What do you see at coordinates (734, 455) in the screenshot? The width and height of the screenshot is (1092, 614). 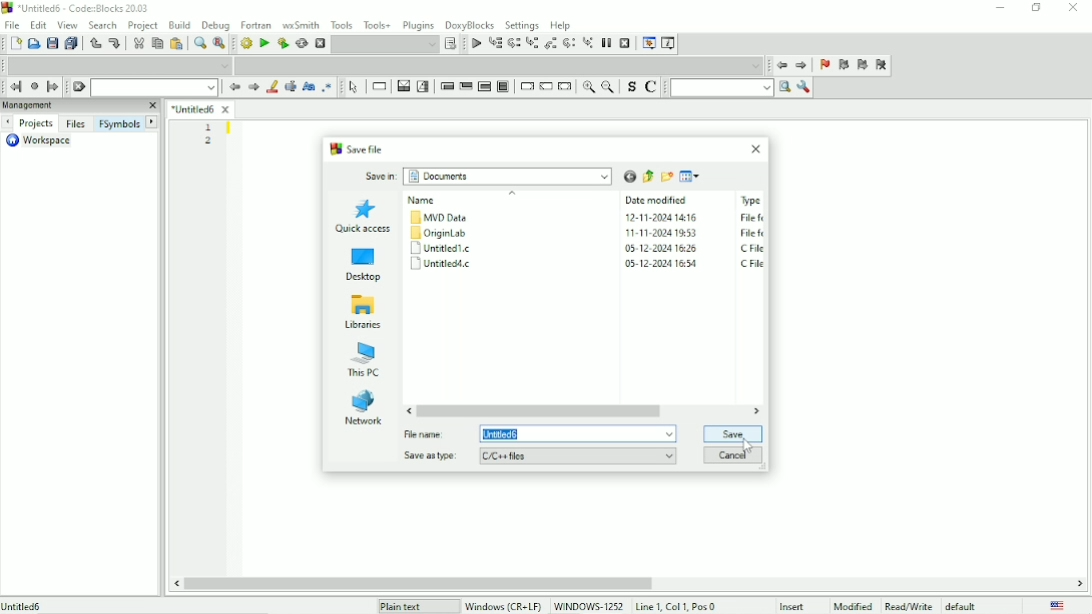 I see `Cancel` at bounding box center [734, 455].